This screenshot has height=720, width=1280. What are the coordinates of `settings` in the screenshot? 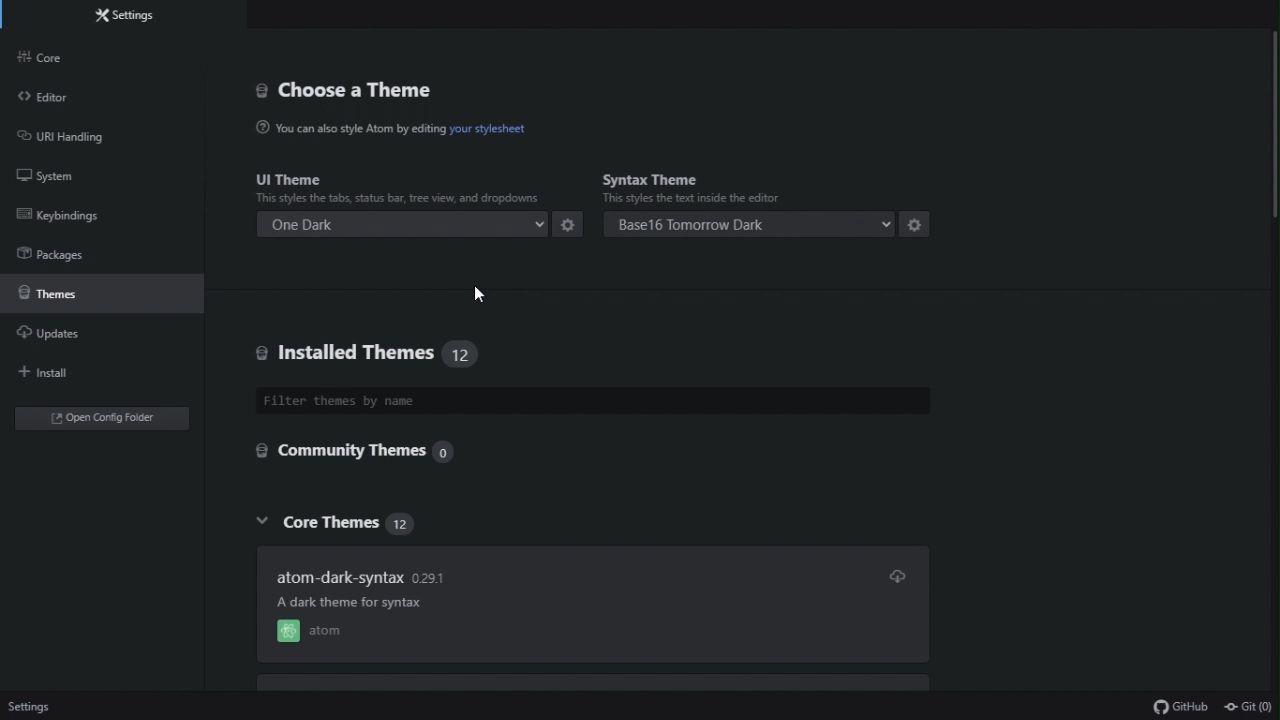 It's located at (572, 227).